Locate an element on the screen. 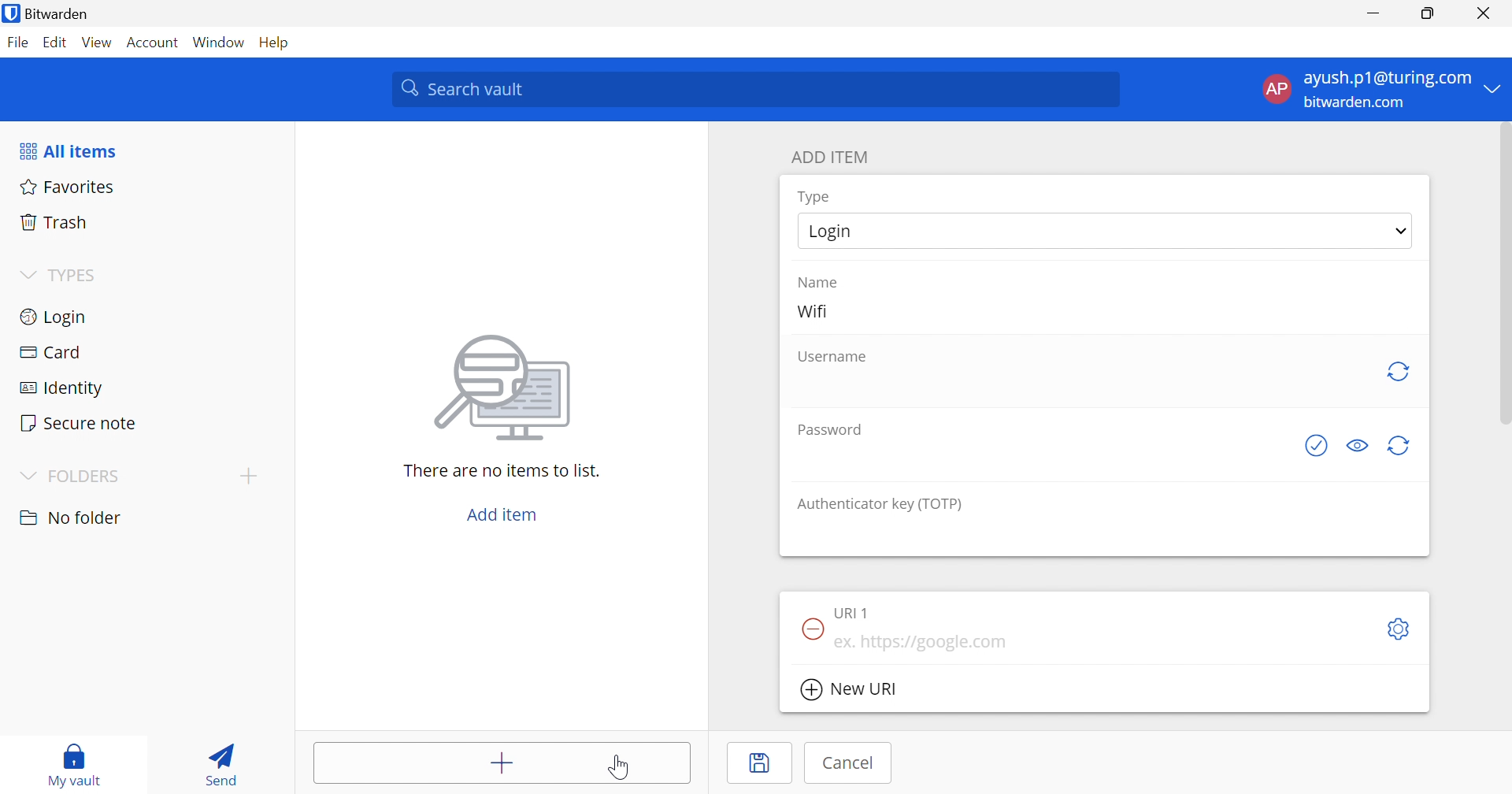 This screenshot has width=1512, height=794. Search vault is located at coordinates (754, 89).